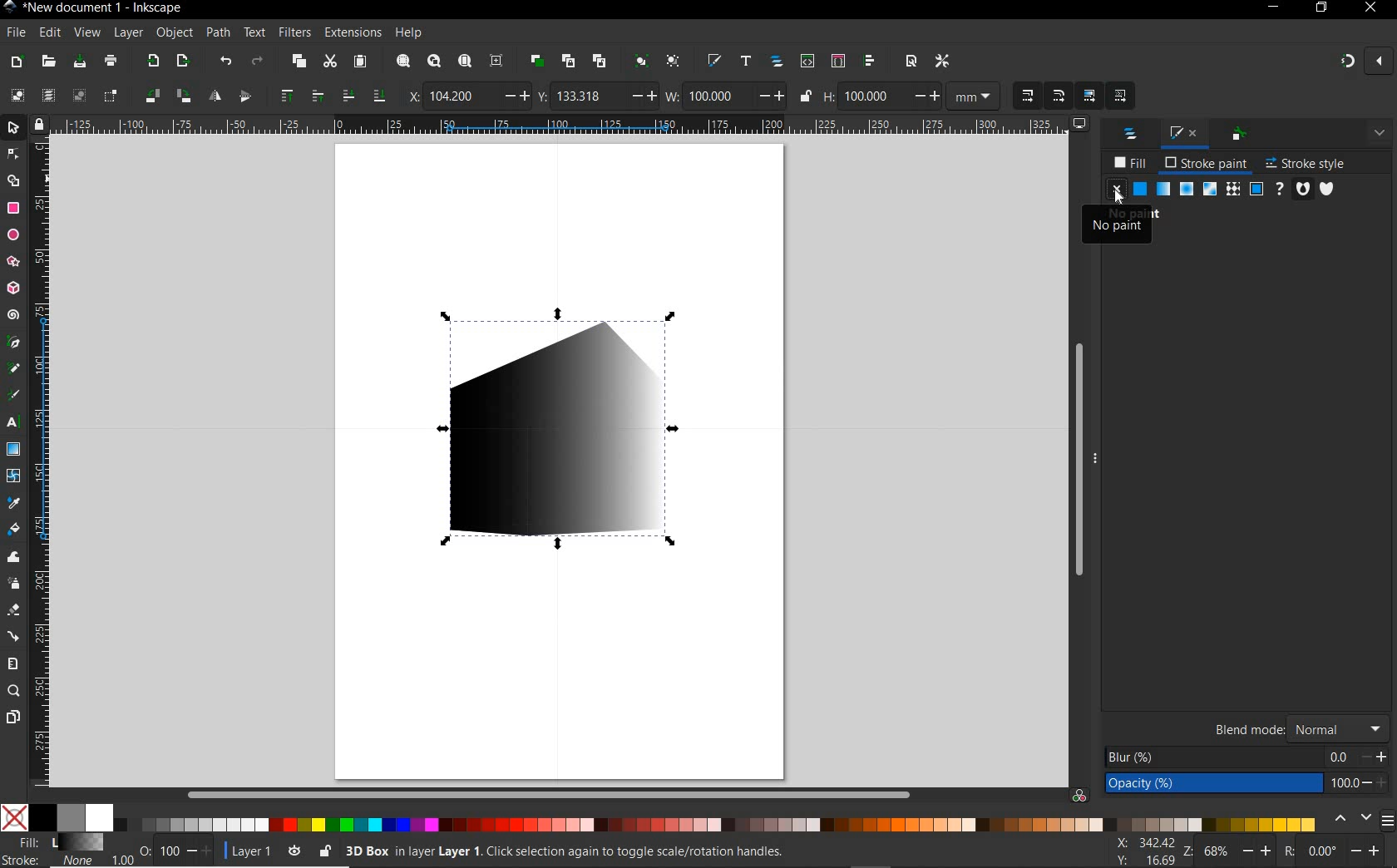 The height and width of the screenshot is (868, 1397). I want to click on RAISE SELECTION, so click(284, 94).